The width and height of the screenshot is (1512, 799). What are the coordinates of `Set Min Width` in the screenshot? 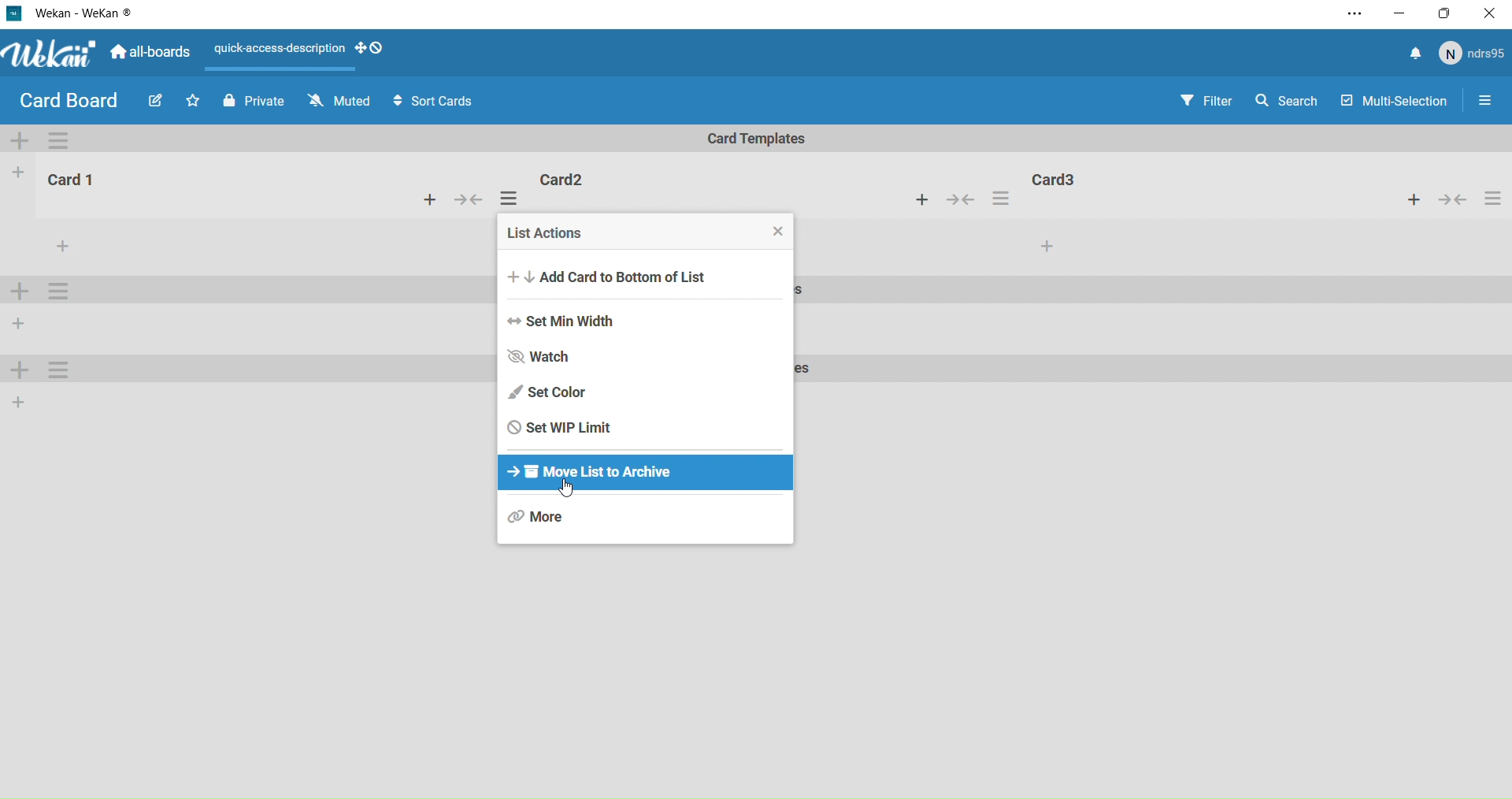 It's located at (572, 321).